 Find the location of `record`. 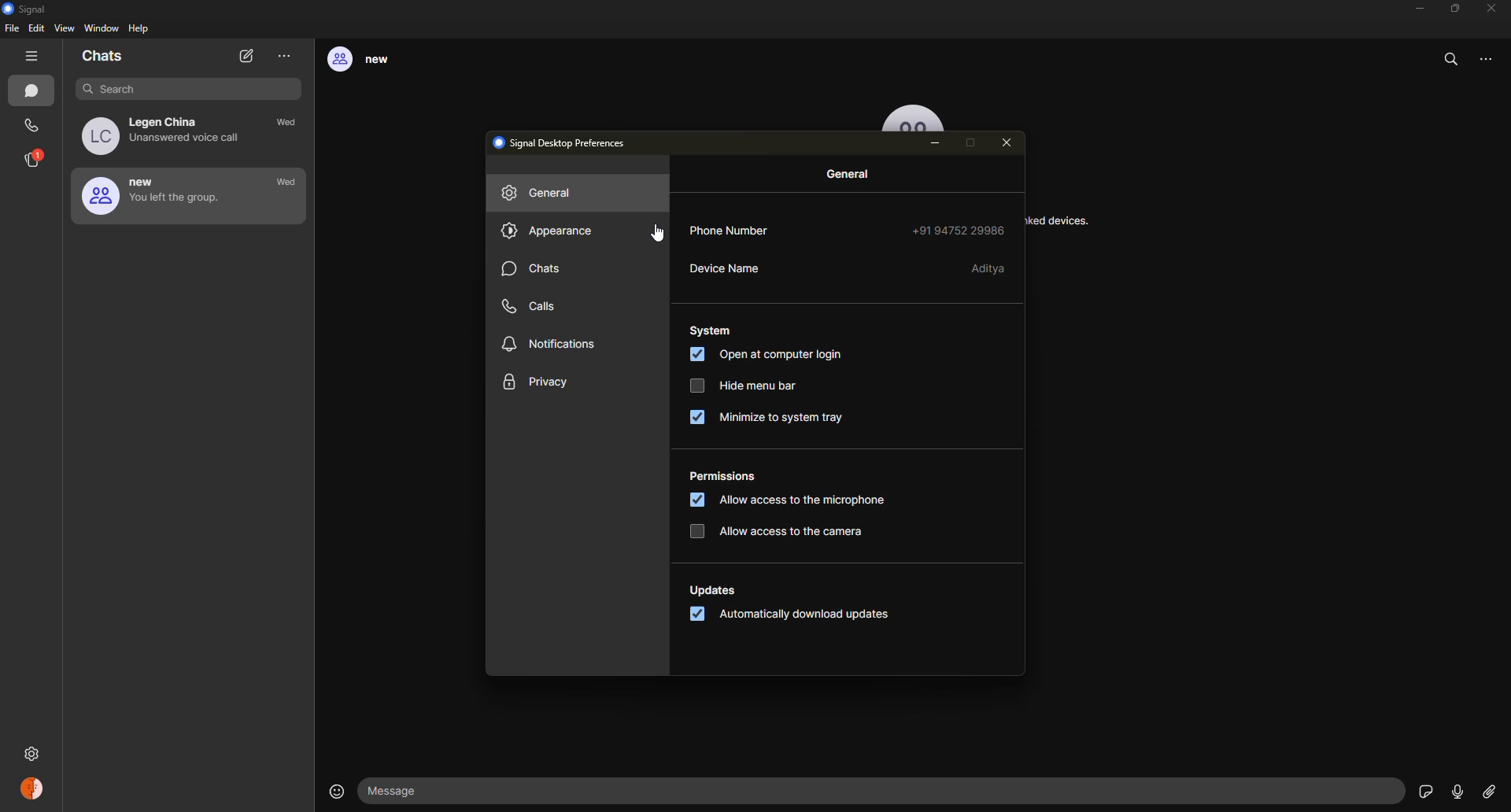

record is located at coordinates (1457, 792).